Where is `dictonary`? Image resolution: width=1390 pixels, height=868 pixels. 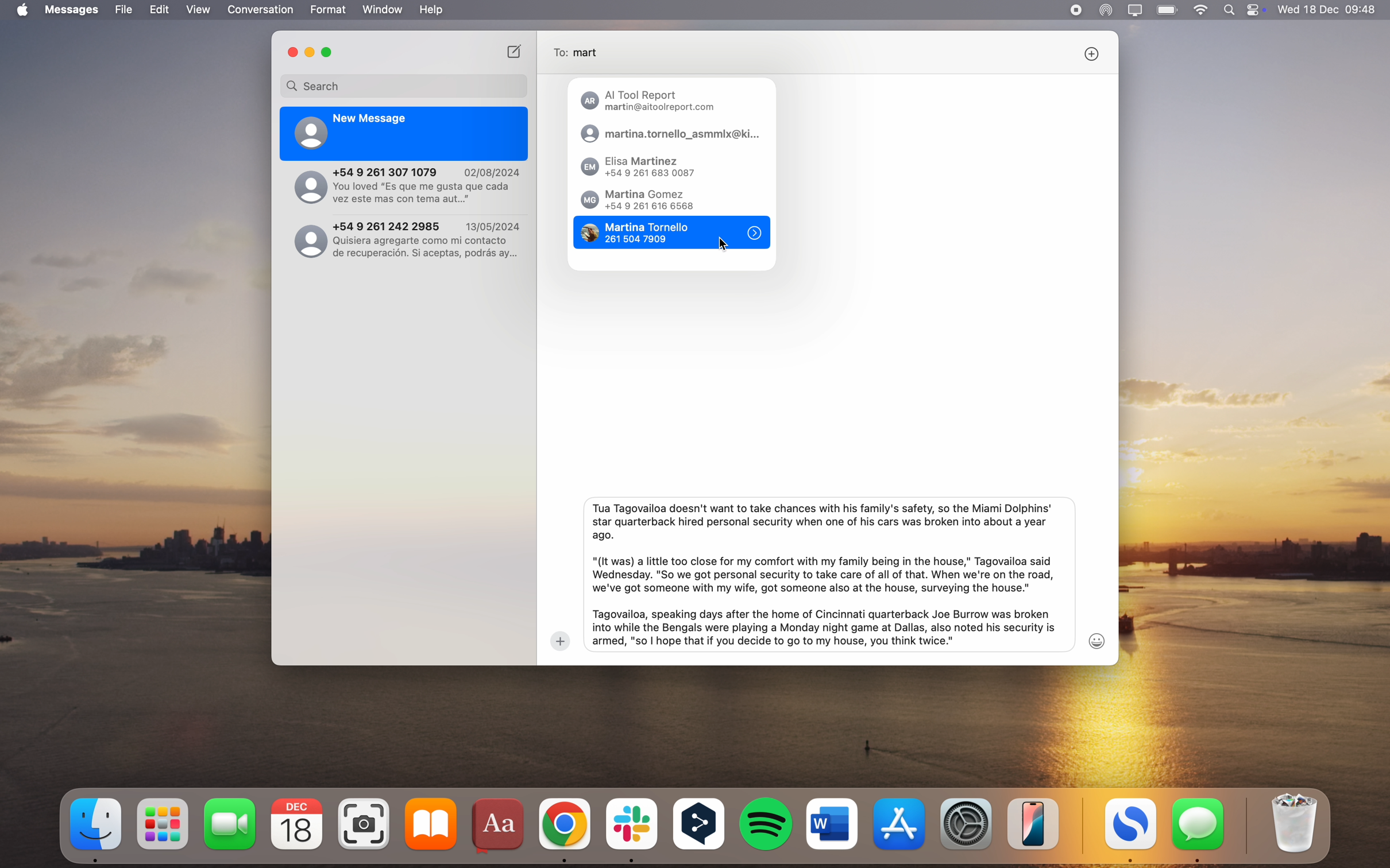 dictonary is located at coordinates (500, 827).